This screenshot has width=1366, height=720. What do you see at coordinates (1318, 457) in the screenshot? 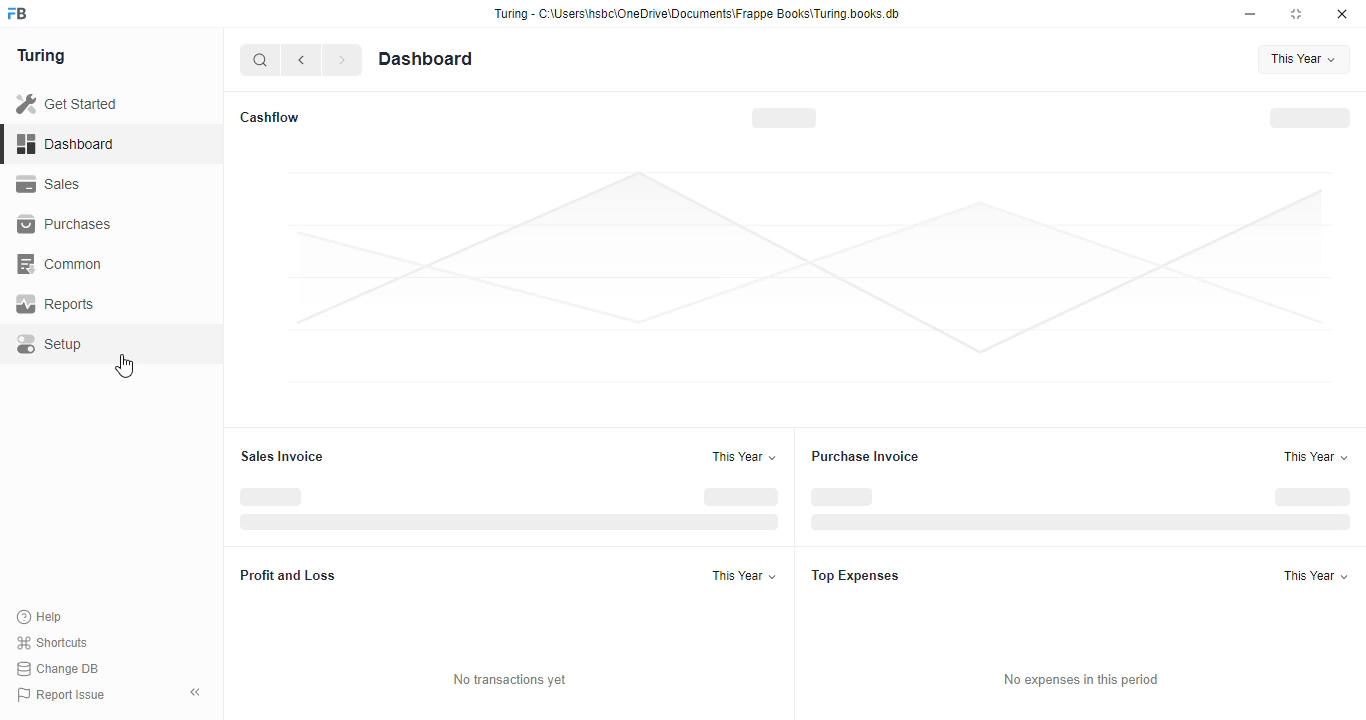
I see `this year` at bounding box center [1318, 457].